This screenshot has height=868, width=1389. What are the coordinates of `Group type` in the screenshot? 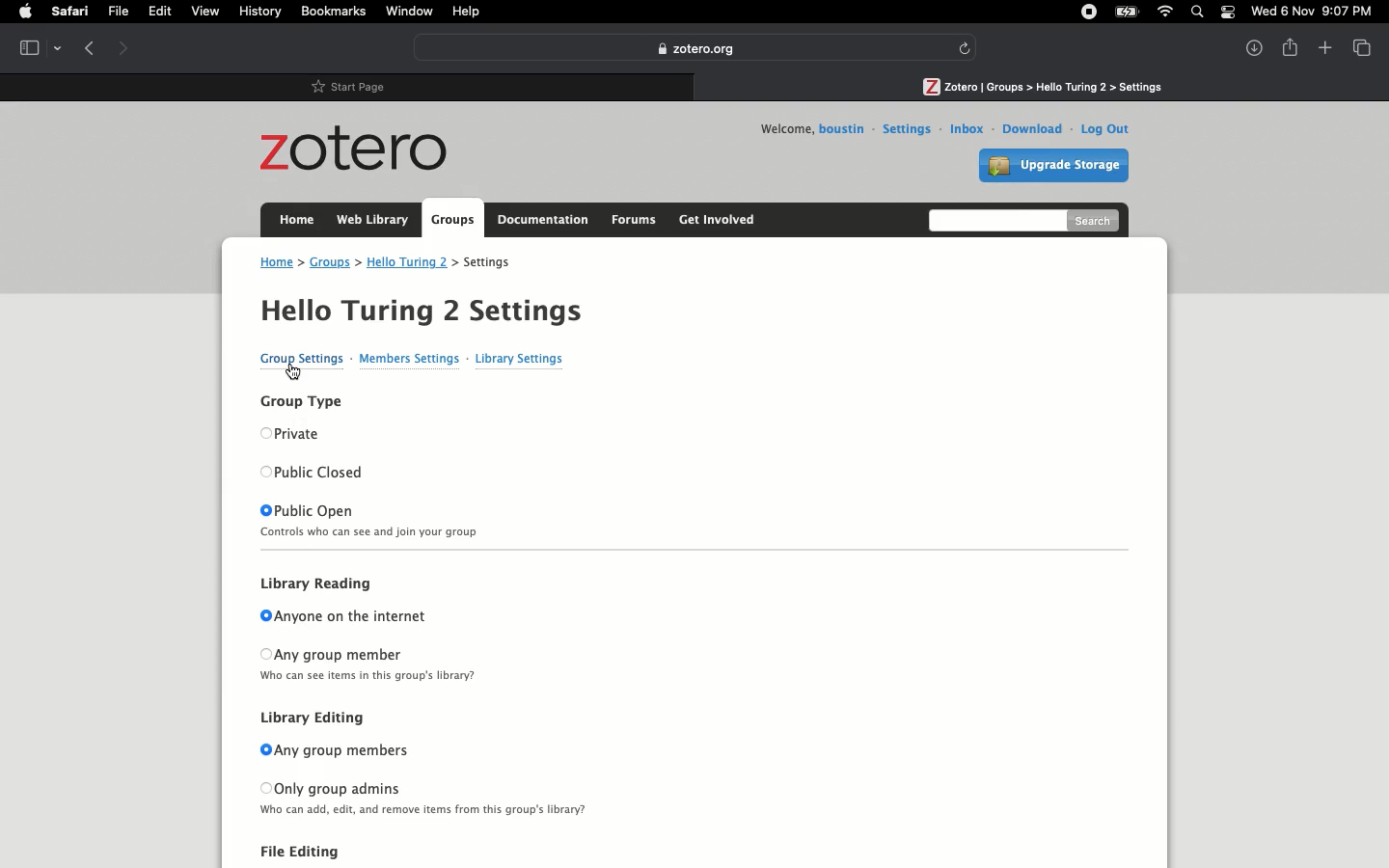 It's located at (298, 400).